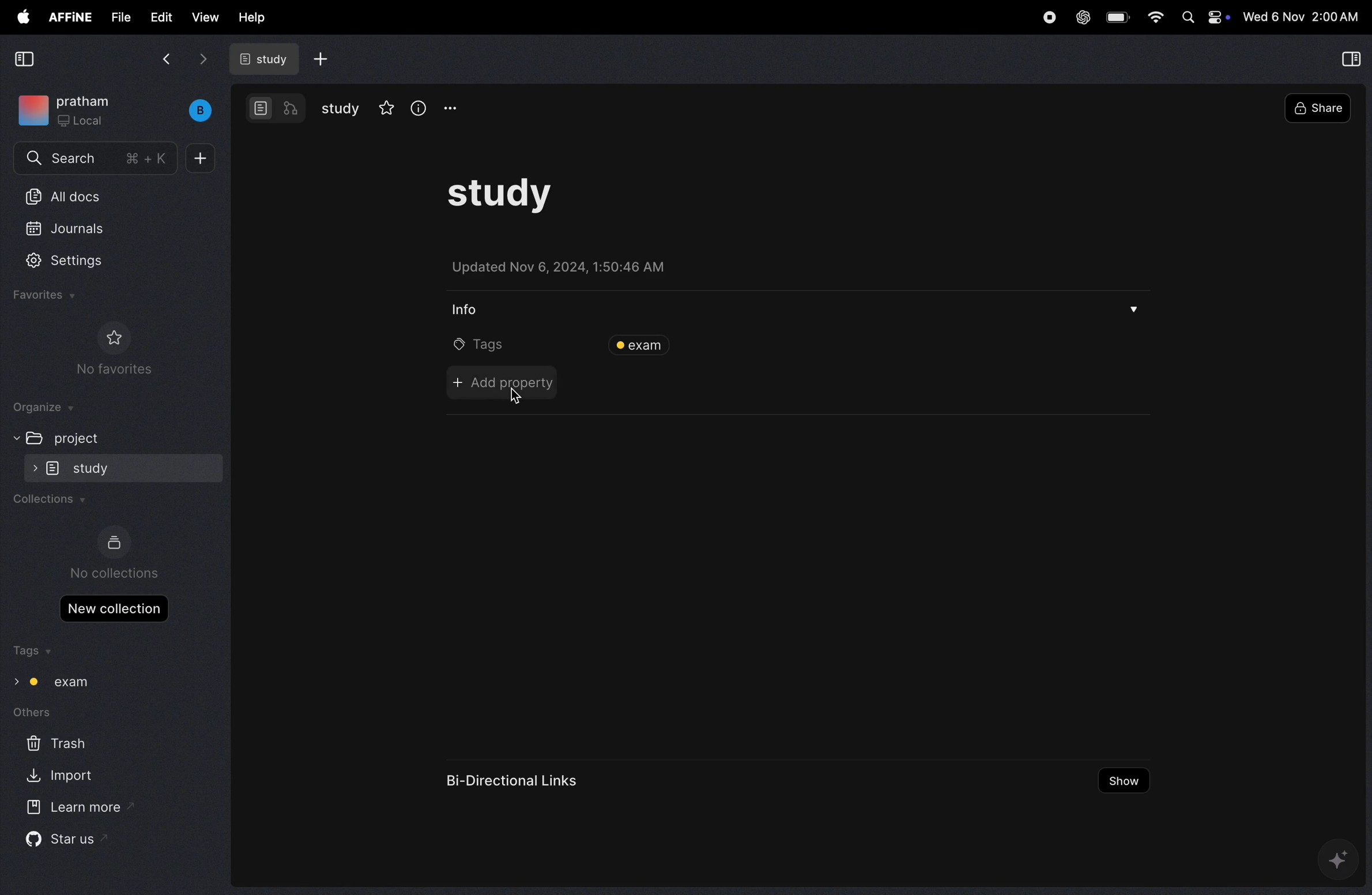 The width and height of the screenshot is (1372, 895). I want to click on gemini, so click(1340, 859).